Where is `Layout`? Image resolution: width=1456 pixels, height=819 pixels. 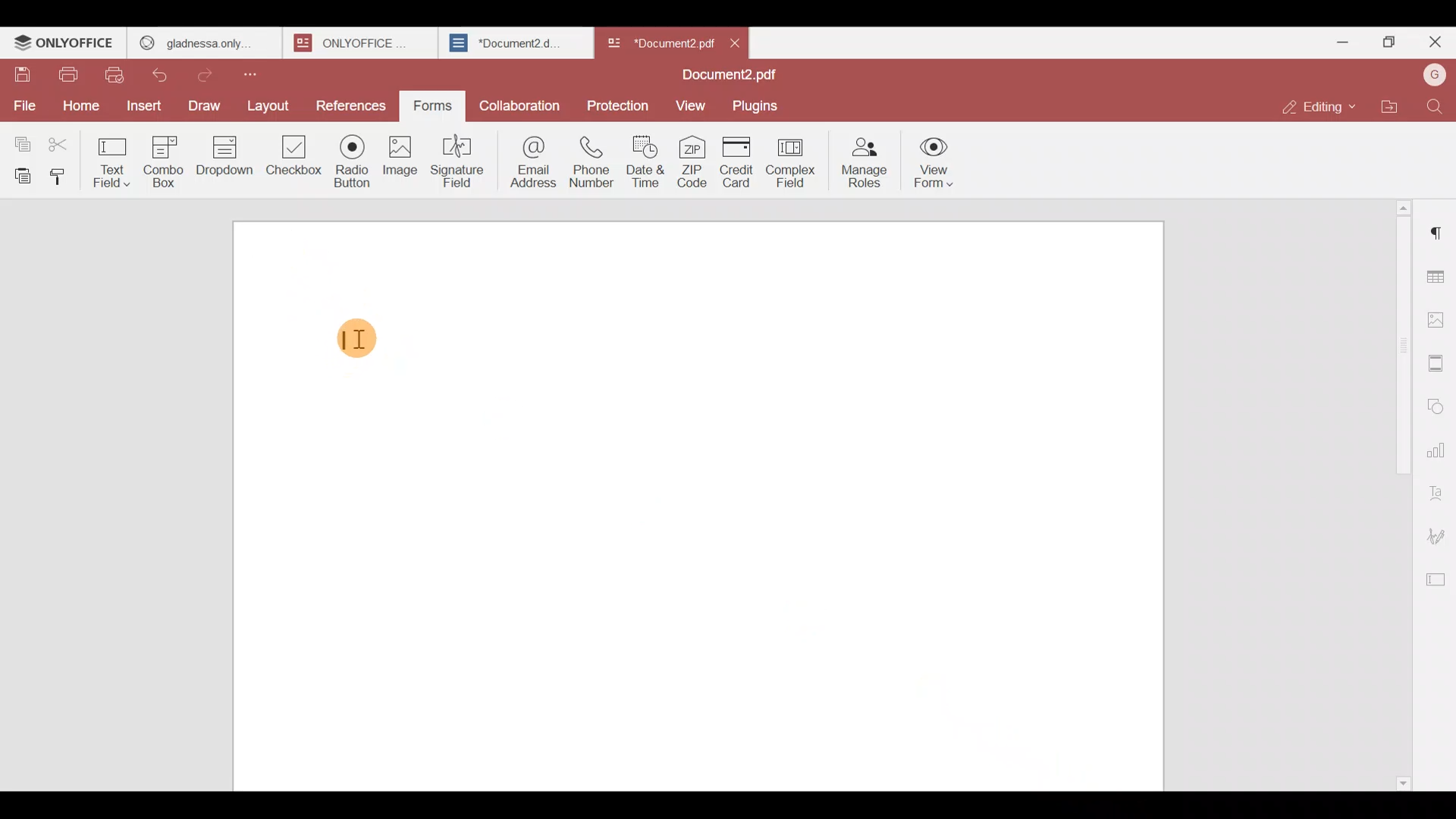 Layout is located at coordinates (269, 102).